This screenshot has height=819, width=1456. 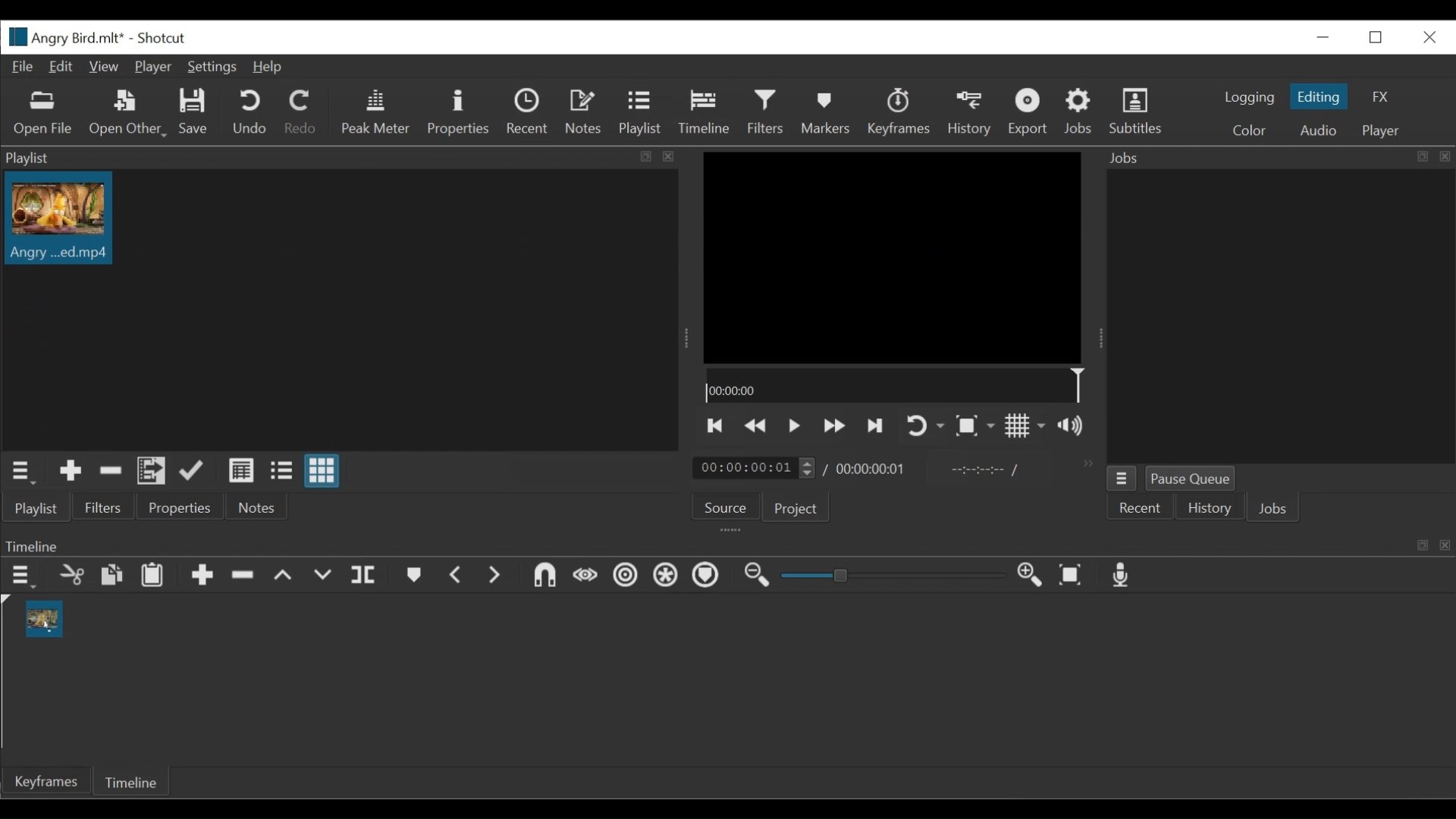 What do you see at coordinates (899, 387) in the screenshot?
I see `Timeline` at bounding box center [899, 387].